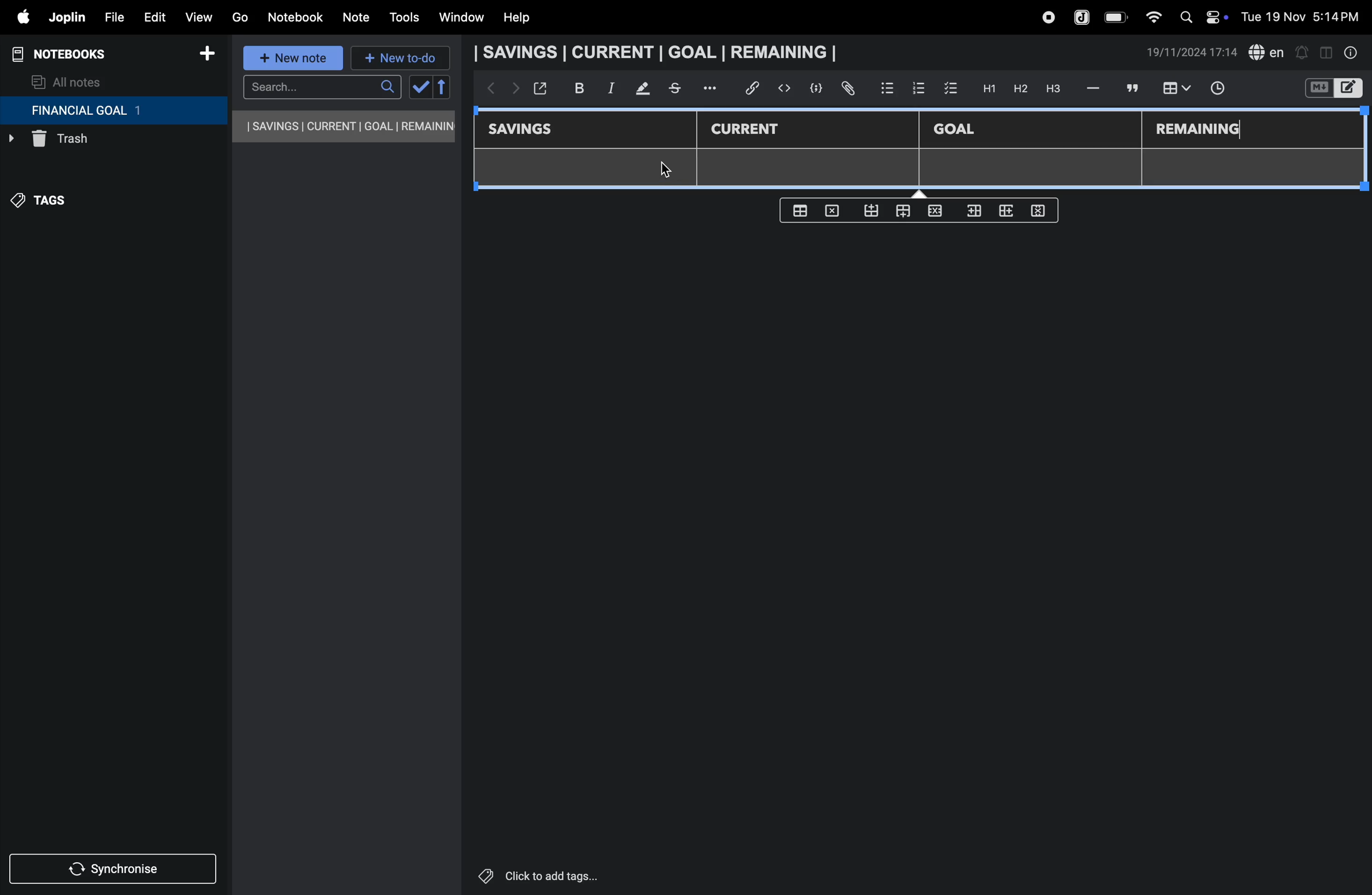 Image resolution: width=1372 pixels, height=895 pixels. I want to click on stketchbook, so click(676, 90).